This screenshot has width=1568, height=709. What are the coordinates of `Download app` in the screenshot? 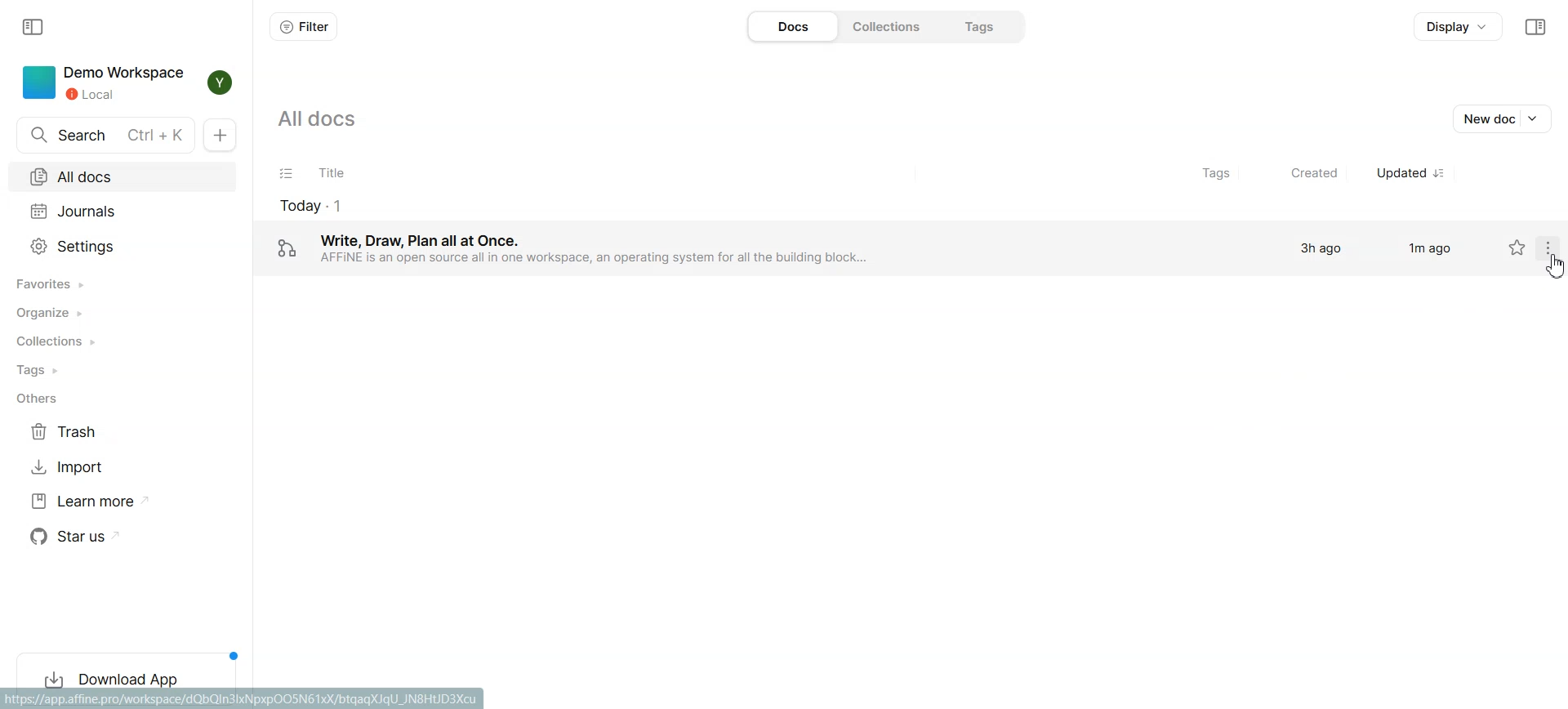 It's located at (127, 675).